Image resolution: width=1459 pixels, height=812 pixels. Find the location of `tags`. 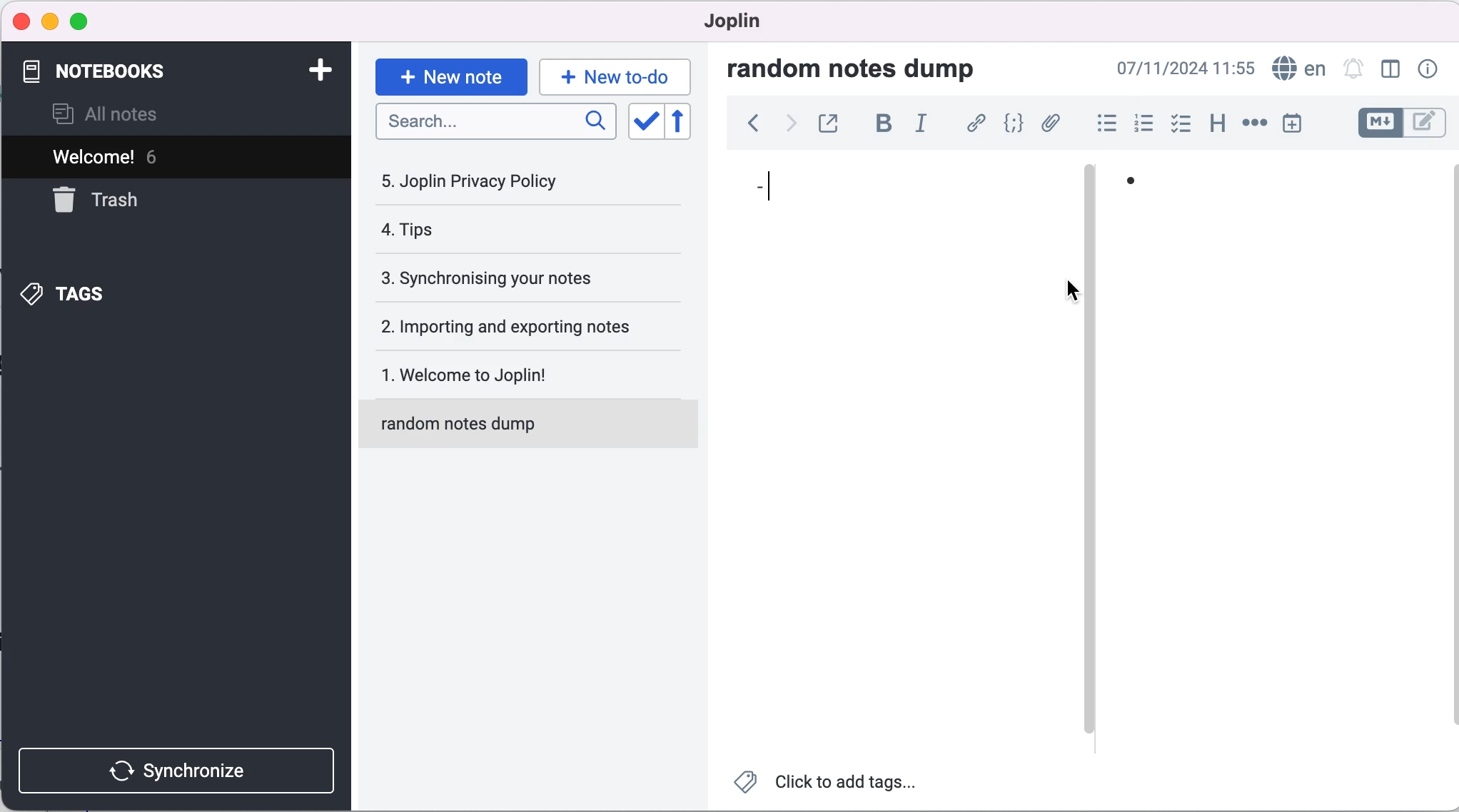

tags is located at coordinates (106, 293).